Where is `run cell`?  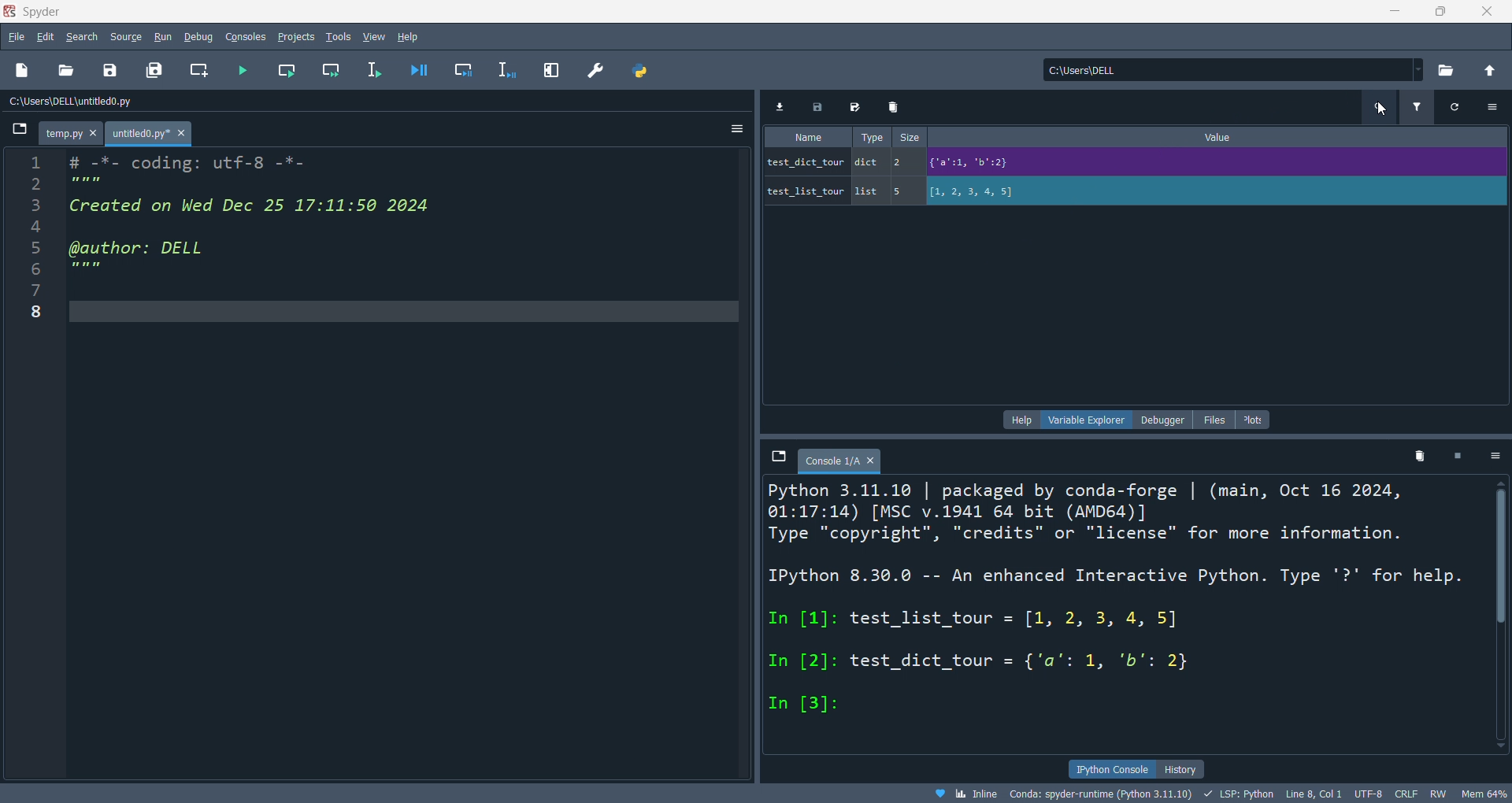
run cell is located at coordinates (283, 68).